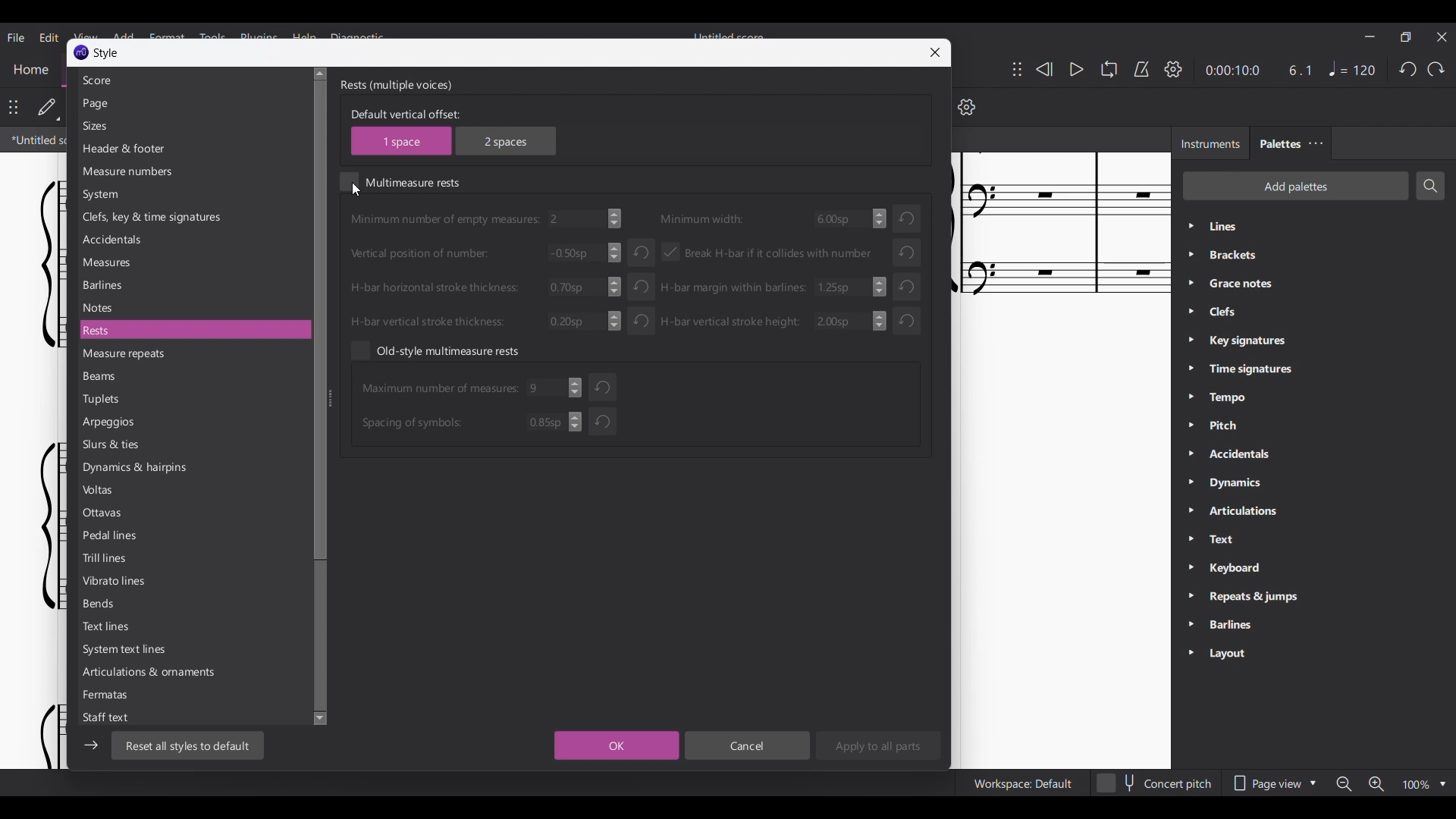 The height and width of the screenshot is (819, 1456). Describe the element at coordinates (193, 309) in the screenshot. I see `Notes` at that location.